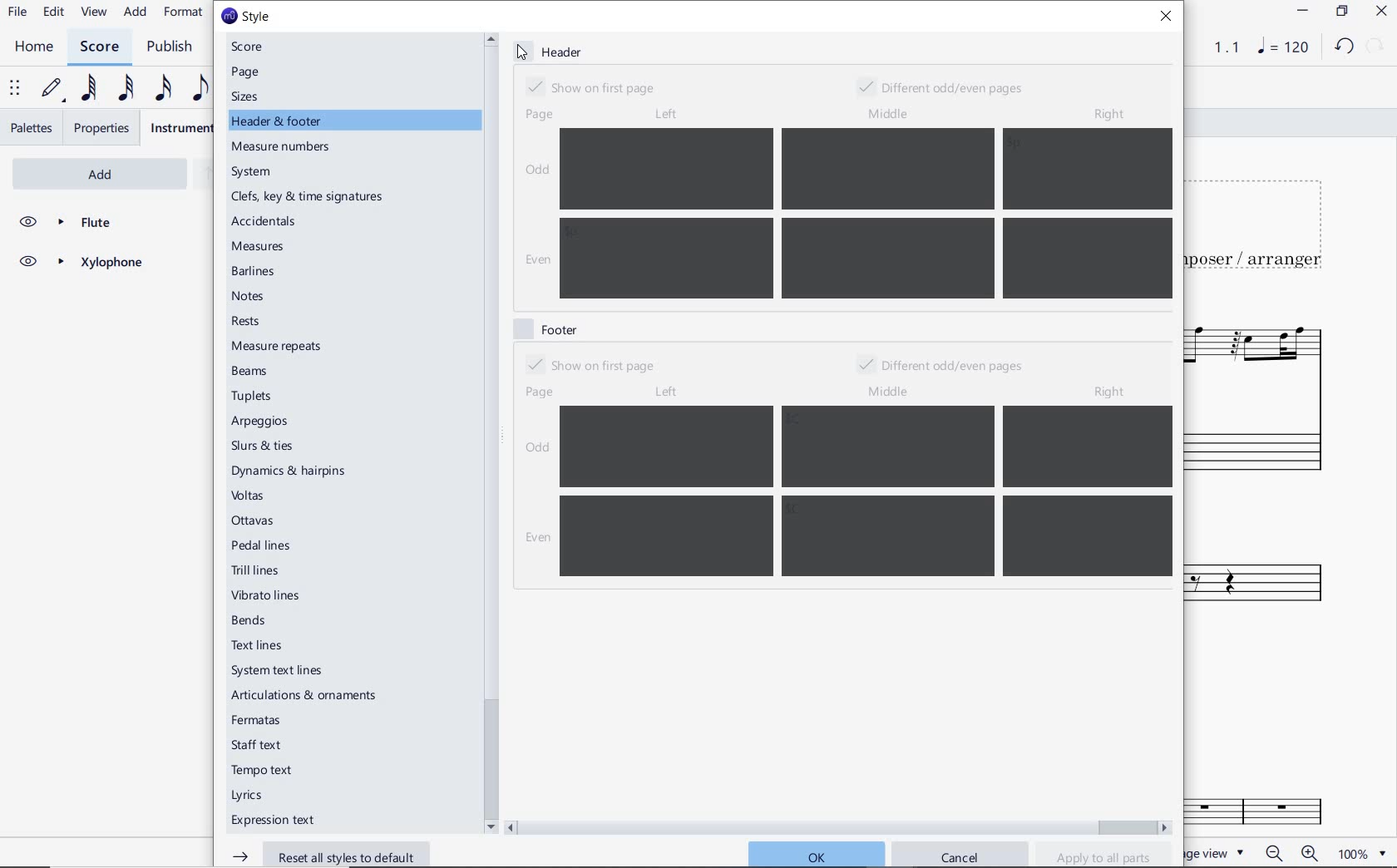 The width and height of the screenshot is (1397, 868). I want to click on ADD, so click(136, 12).